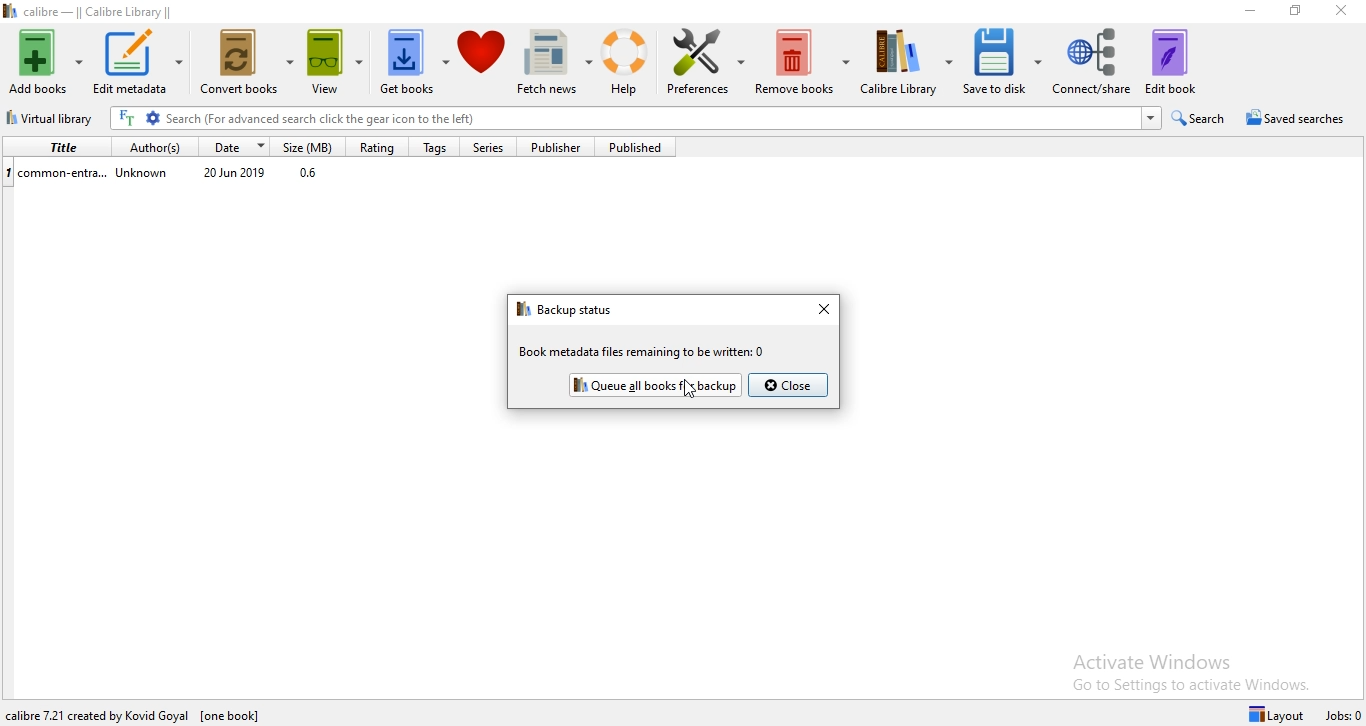  I want to click on Serach bar, so click(653, 120).